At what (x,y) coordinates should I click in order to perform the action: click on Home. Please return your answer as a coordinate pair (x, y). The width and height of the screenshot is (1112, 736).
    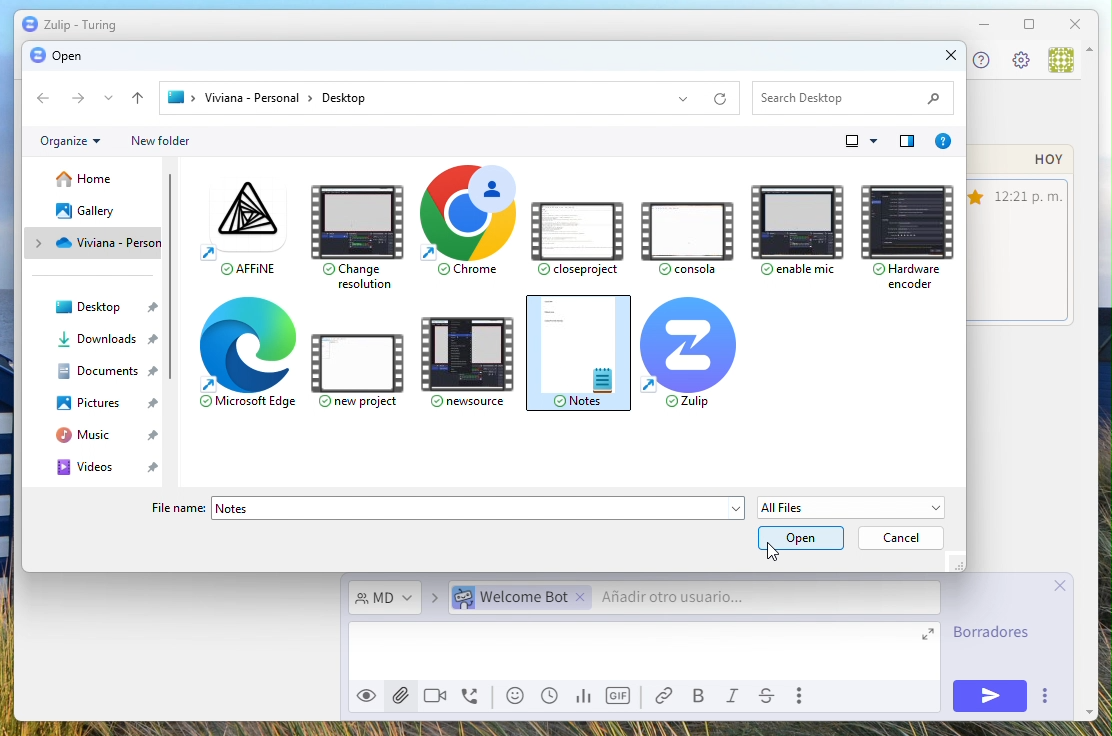
    Looking at the image, I should click on (86, 180).